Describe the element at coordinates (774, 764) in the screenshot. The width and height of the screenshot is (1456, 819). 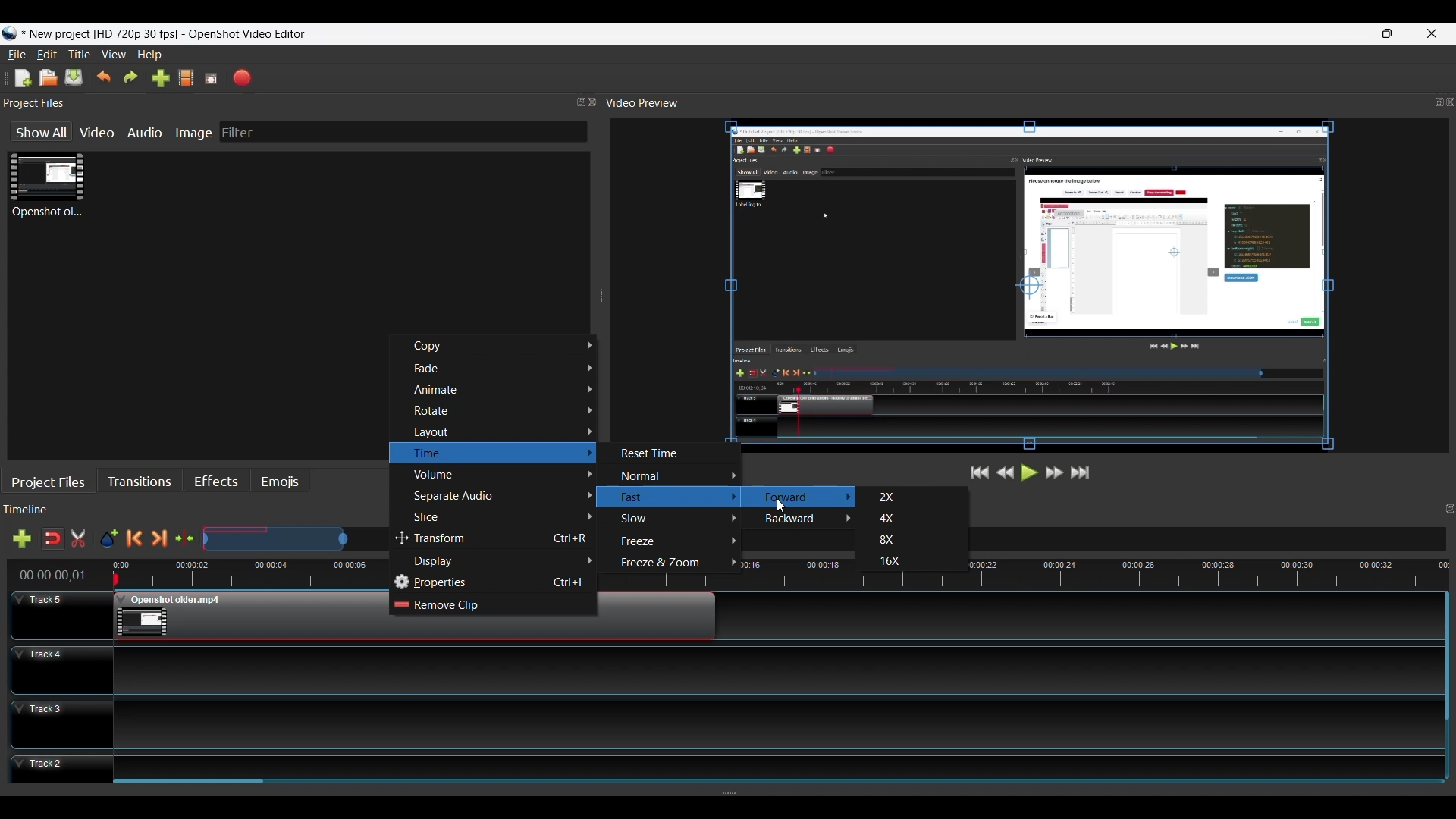
I see `Track Panel` at that location.